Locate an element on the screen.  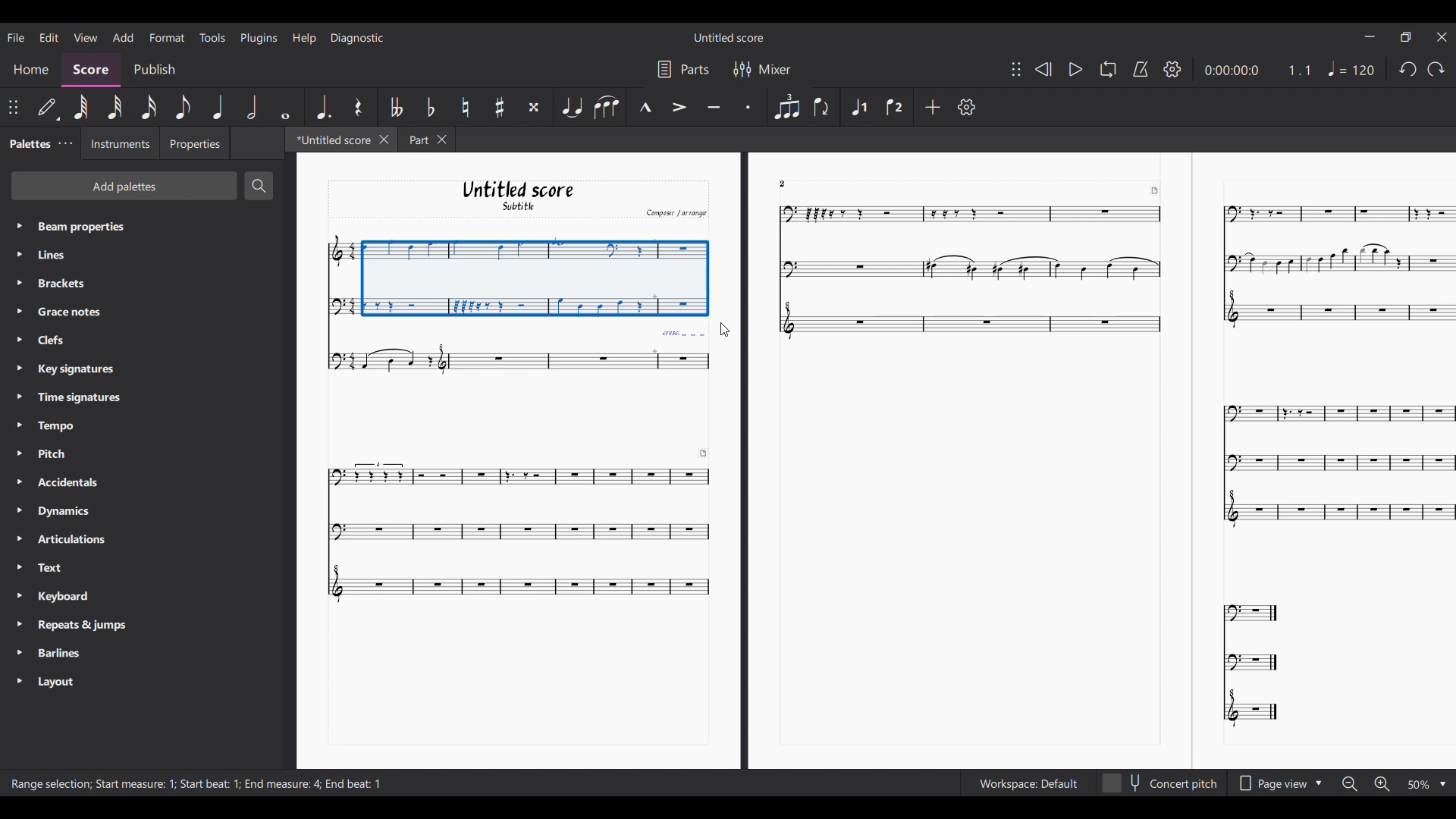
Play is located at coordinates (1075, 70).